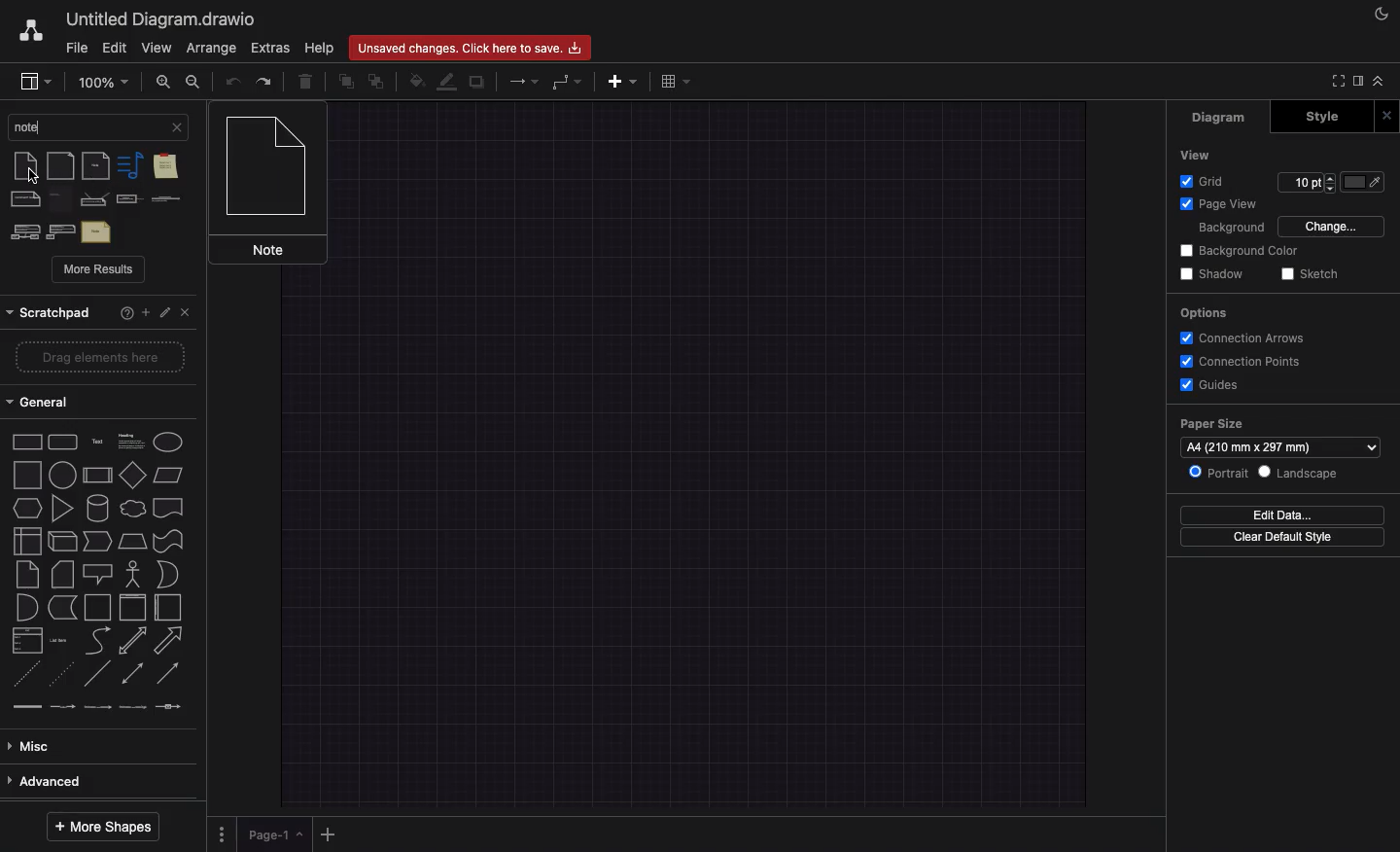  What do you see at coordinates (1313, 273) in the screenshot?
I see `Sketch` at bounding box center [1313, 273].